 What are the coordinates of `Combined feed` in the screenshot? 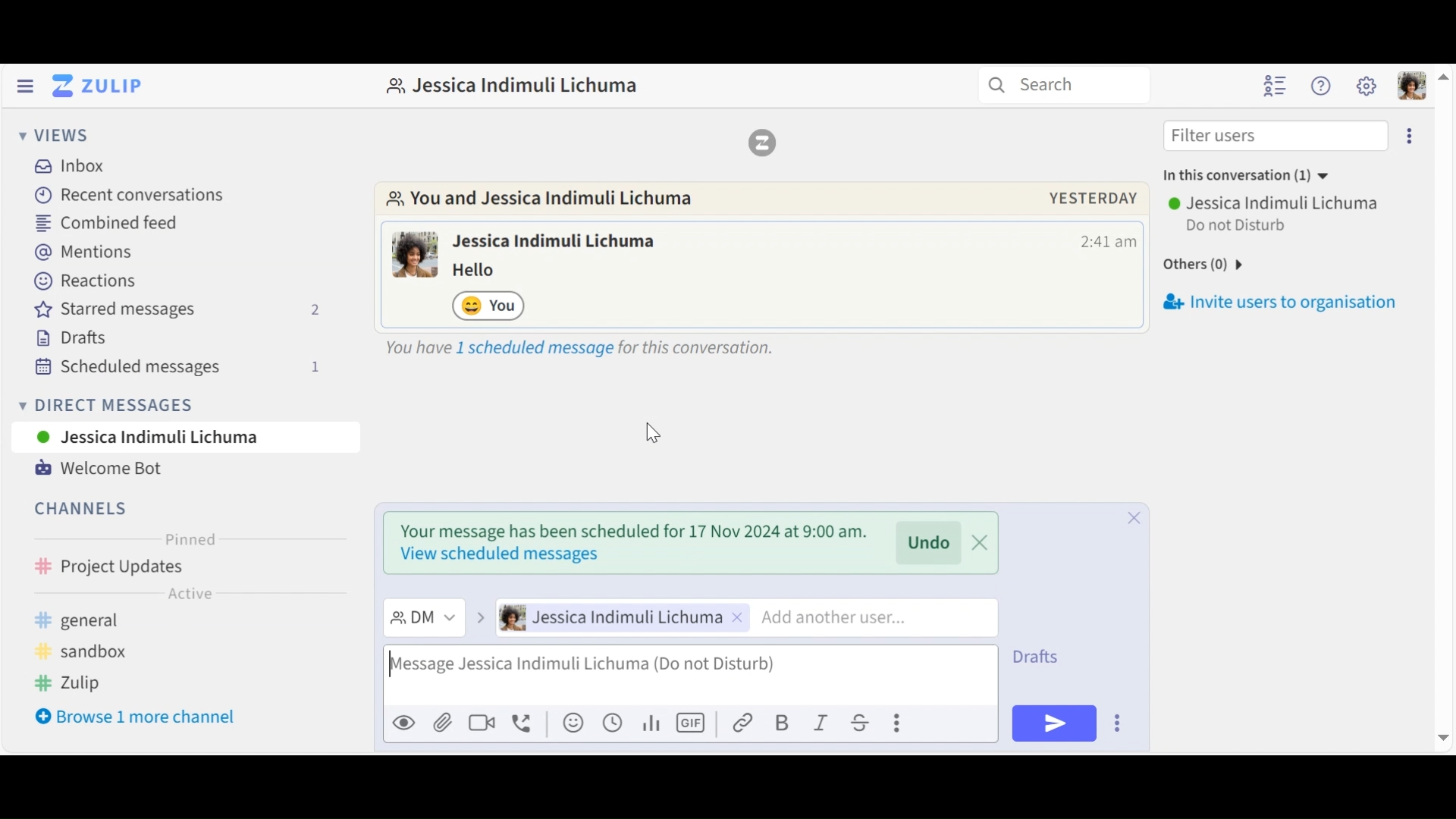 It's located at (110, 222).